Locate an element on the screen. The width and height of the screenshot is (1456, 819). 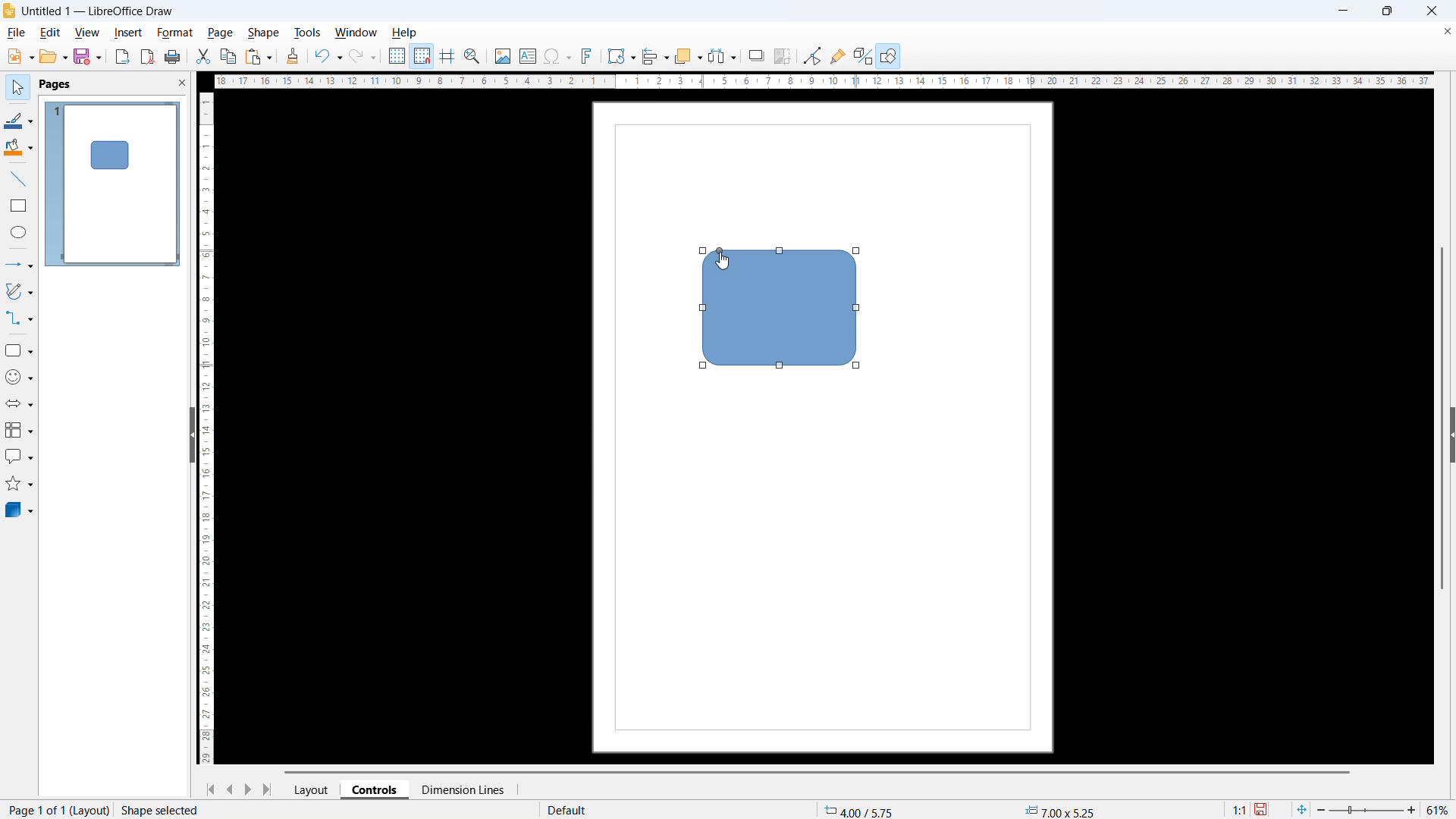
new  is located at coordinates (20, 56).